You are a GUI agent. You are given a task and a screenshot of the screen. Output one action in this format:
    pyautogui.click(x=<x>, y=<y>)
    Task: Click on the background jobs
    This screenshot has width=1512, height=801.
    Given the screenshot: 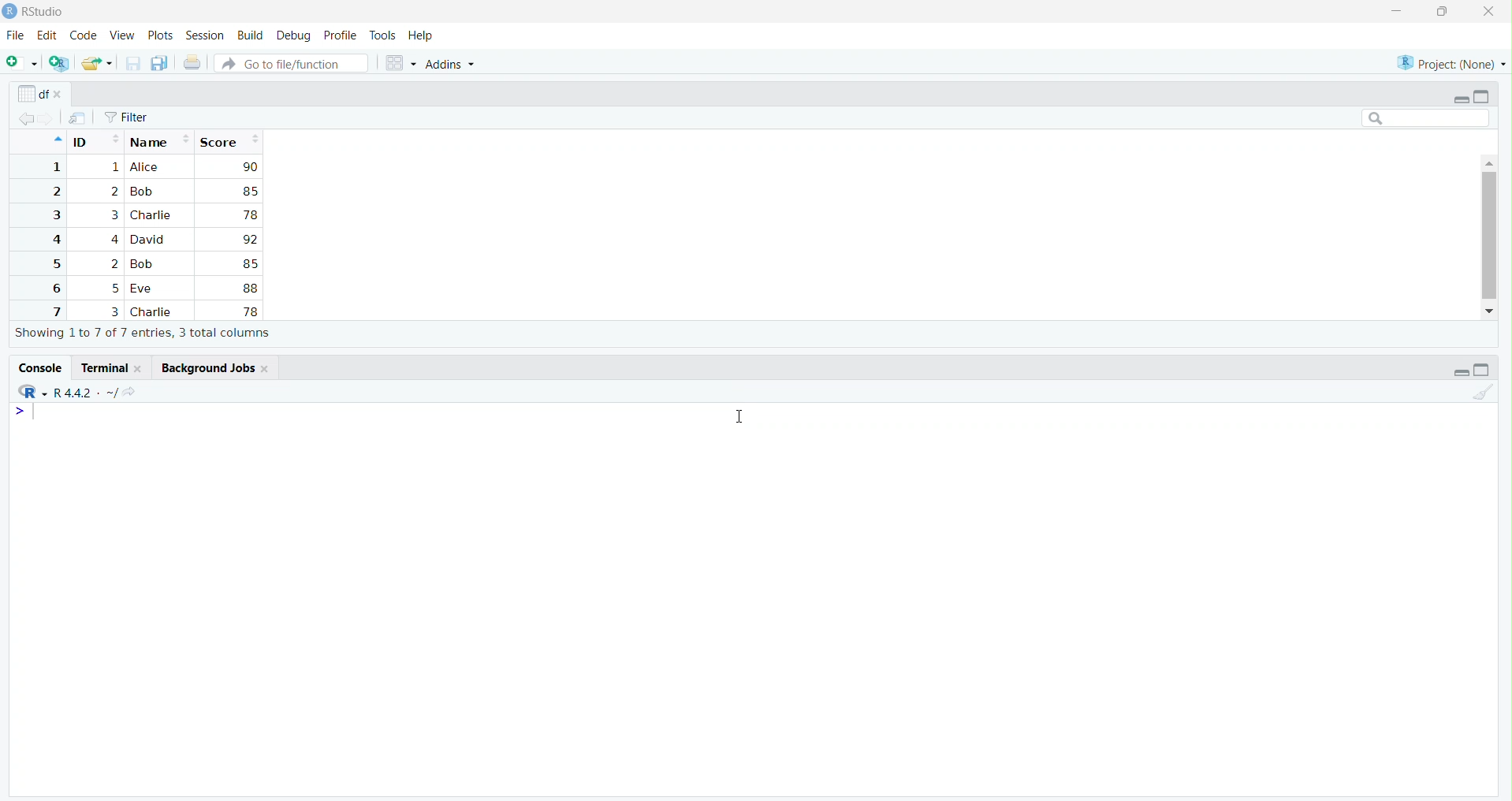 What is the action you would take?
    pyautogui.click(x=204, y=367)
    